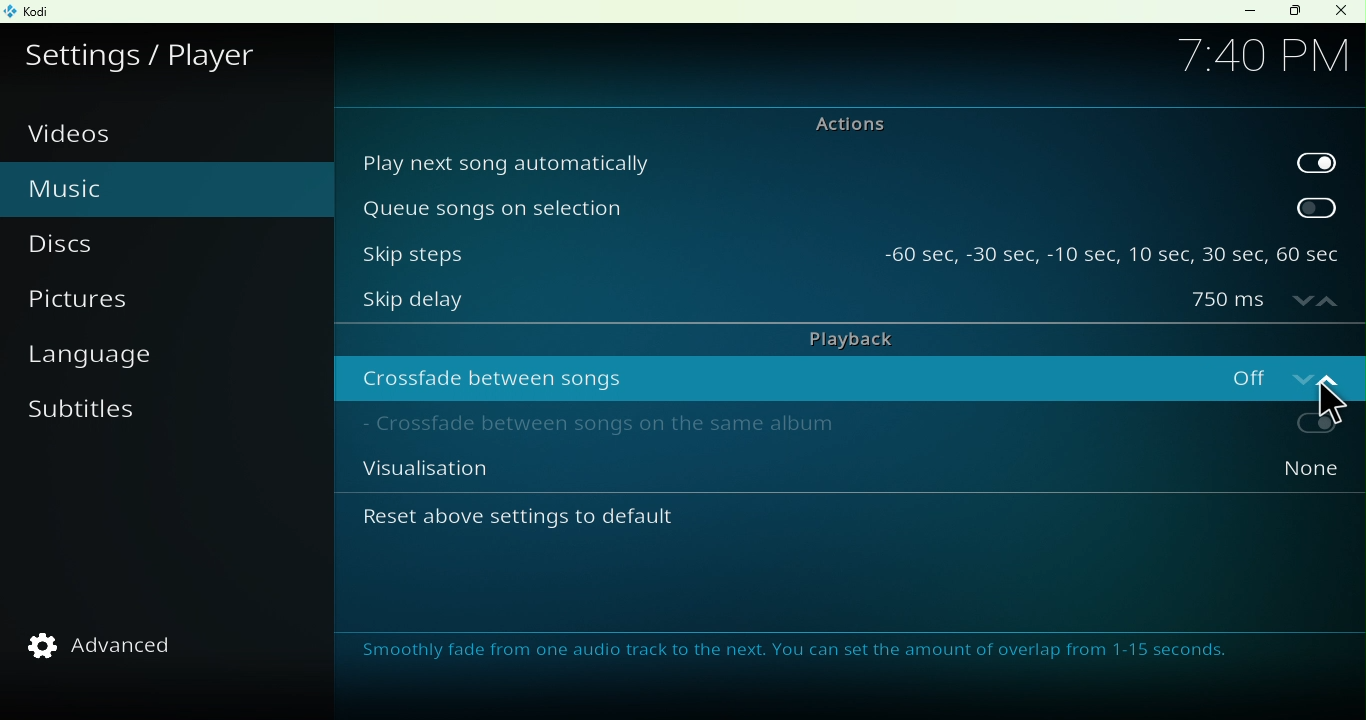 The width and height of the screenshot is (1366, 720). Describe the element at coordinates (1262, 53) in the screenshot. I see `Time` at that location.